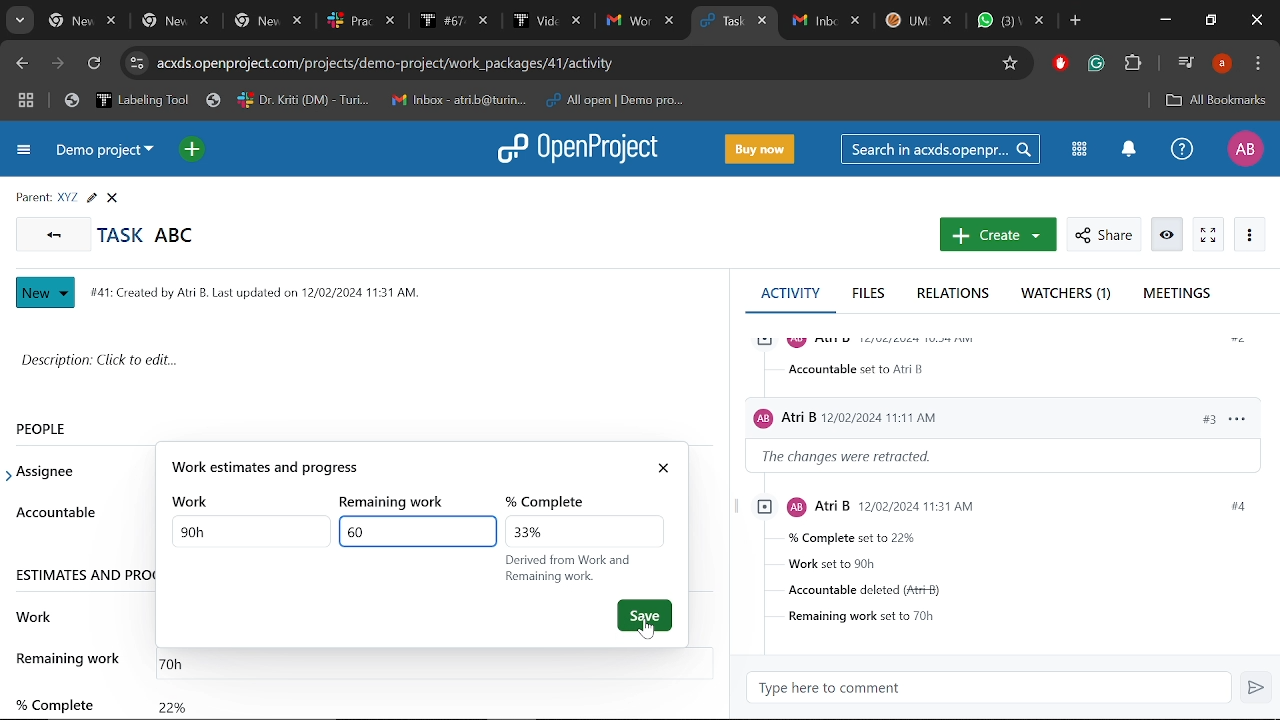 Image resolution: width=1280 pixels, height=720 pixels. Describe the element at coordinates (93, 65) in the screenshot. I see `Refresh` at that location.